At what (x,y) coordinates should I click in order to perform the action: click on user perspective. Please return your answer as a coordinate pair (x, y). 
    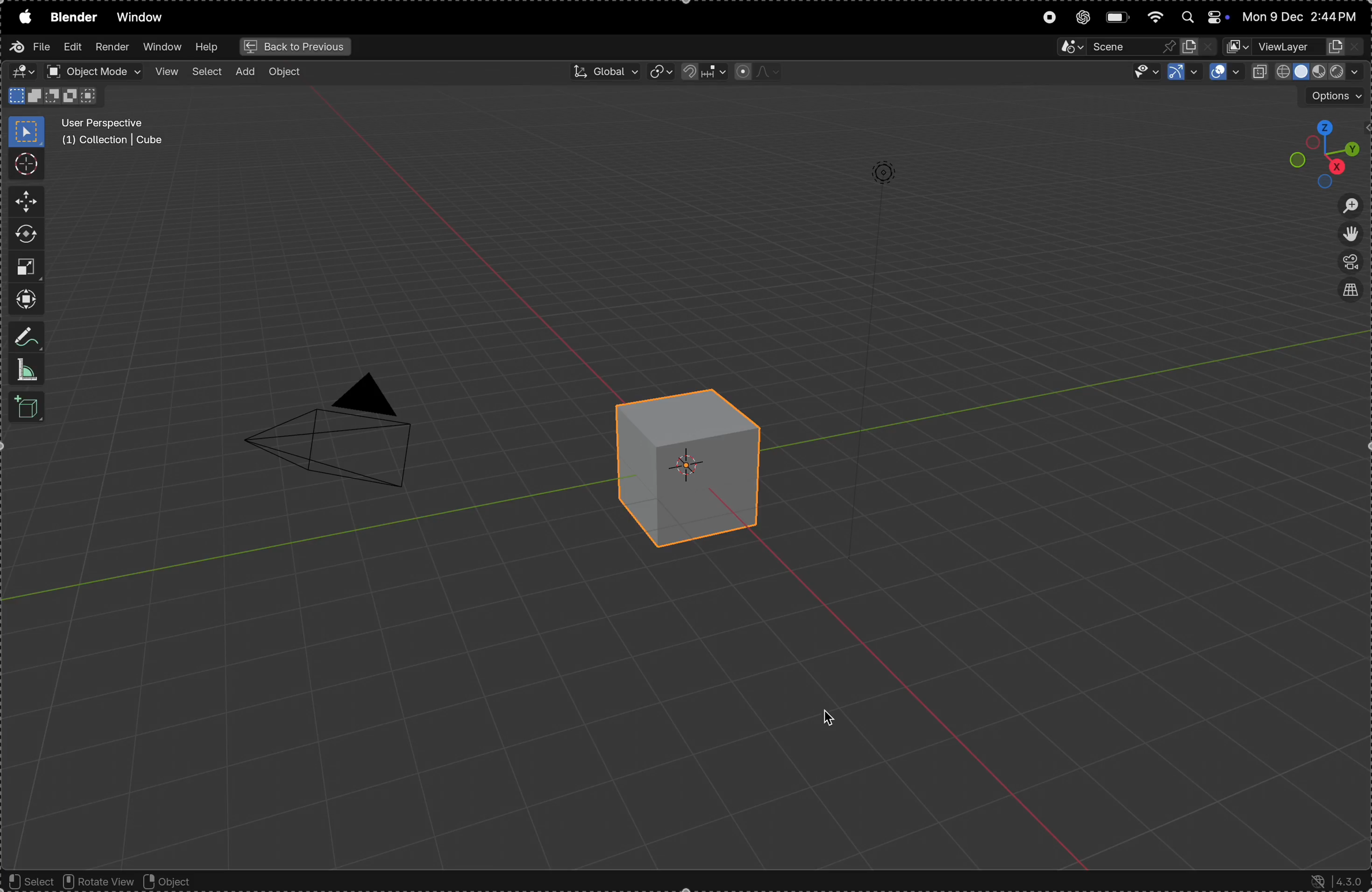
    Looking at the image, I should click on (118, 133).